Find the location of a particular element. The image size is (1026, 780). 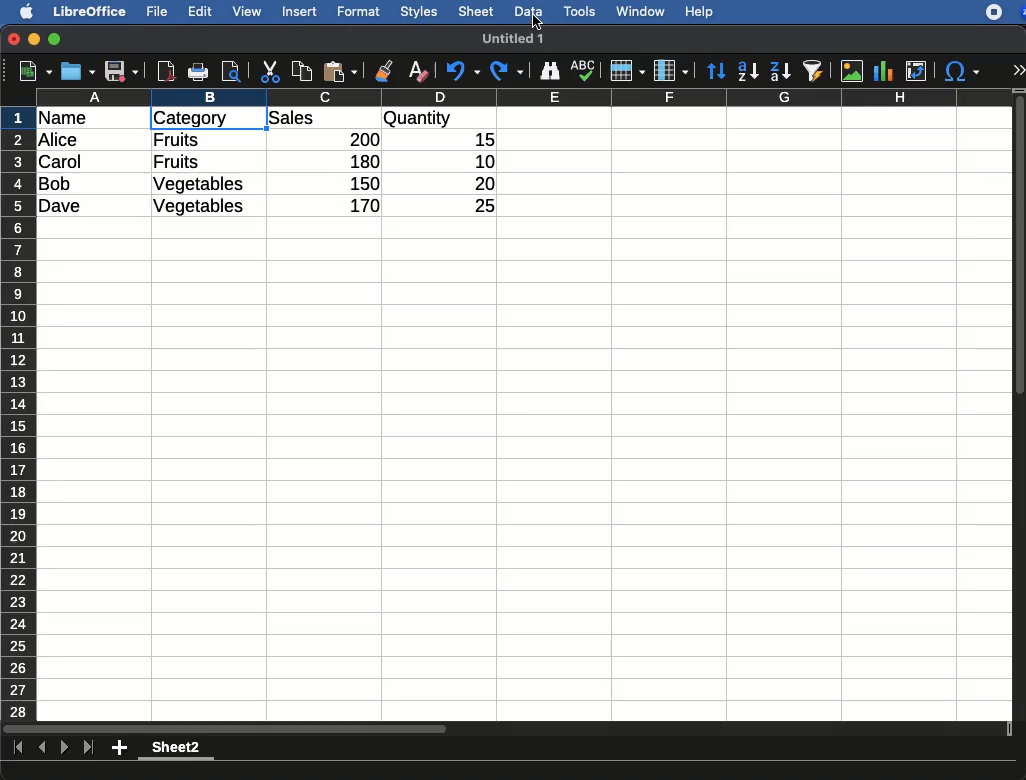

undo is located at coordinates (463, 71).